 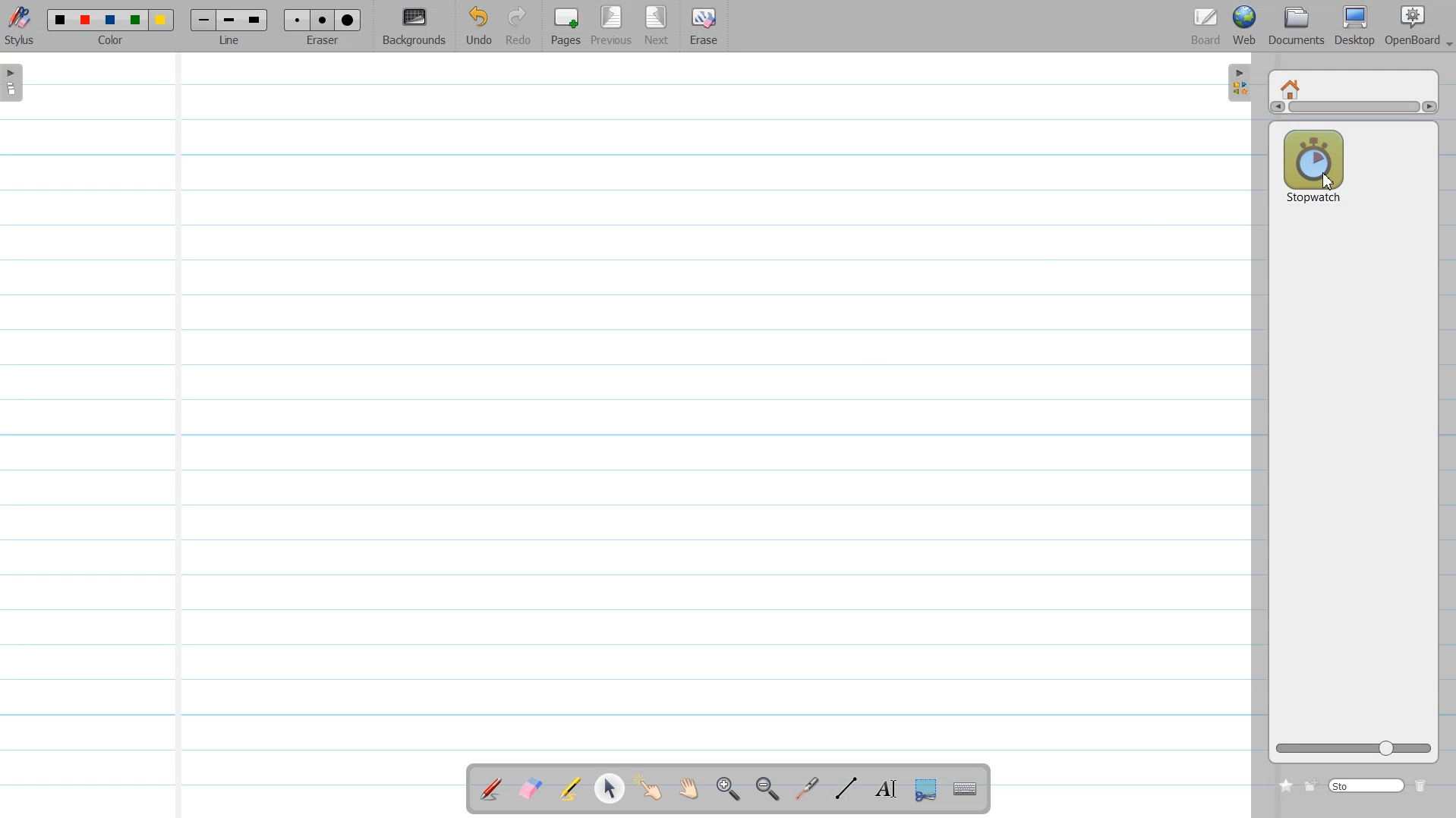 I want to click on Desktop, so click(x=1357, y=26).